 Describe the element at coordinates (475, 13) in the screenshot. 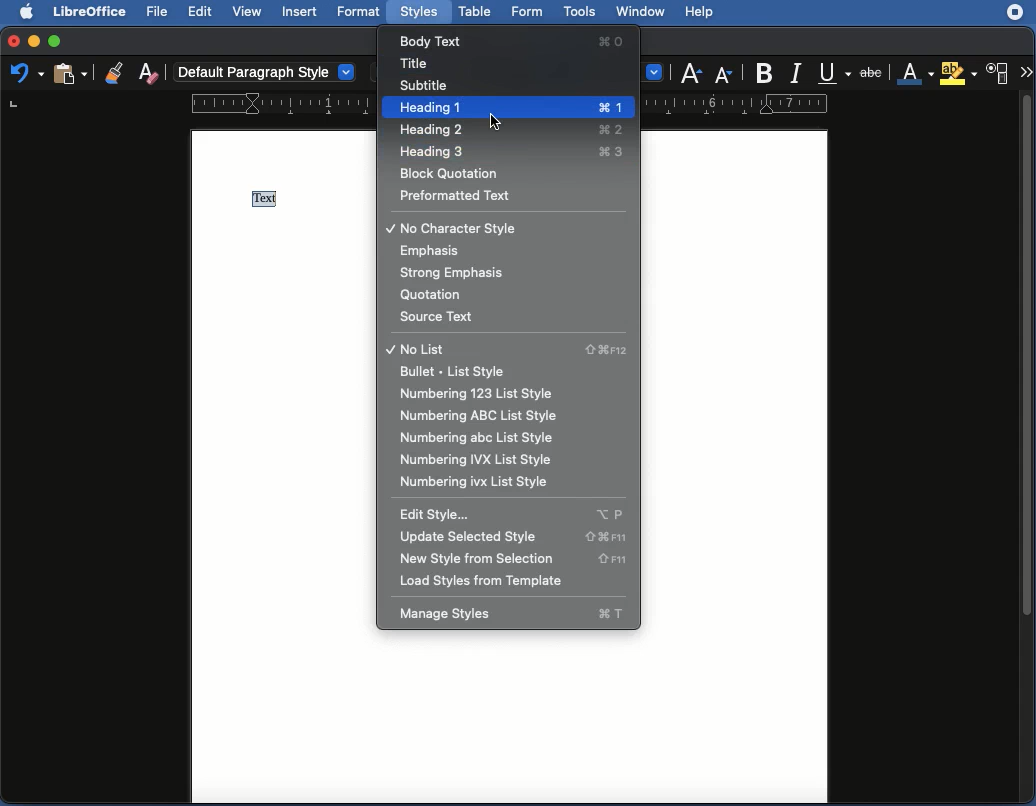

I see `Table` at that location.